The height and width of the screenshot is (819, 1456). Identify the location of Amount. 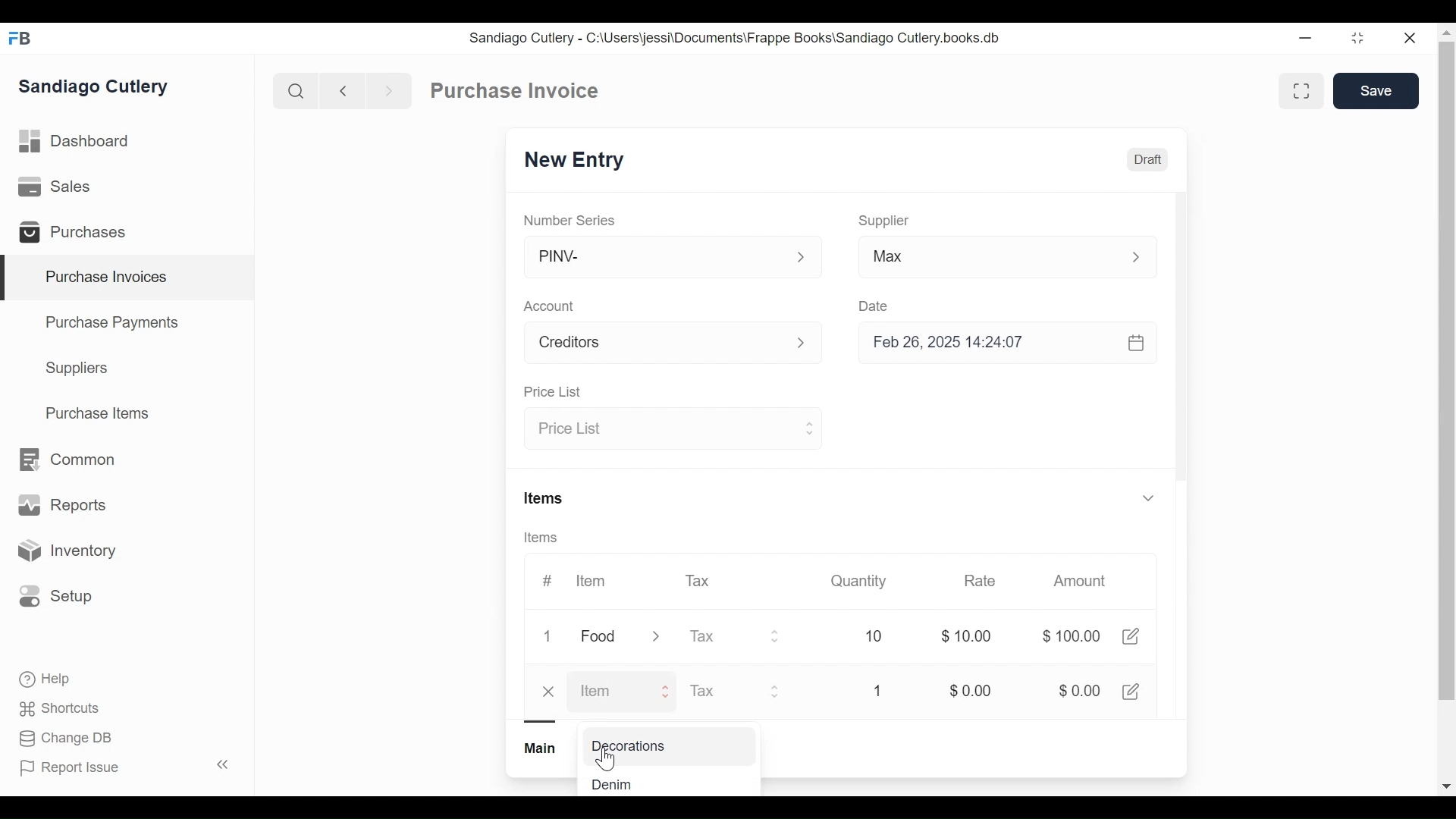
(1084, 582).